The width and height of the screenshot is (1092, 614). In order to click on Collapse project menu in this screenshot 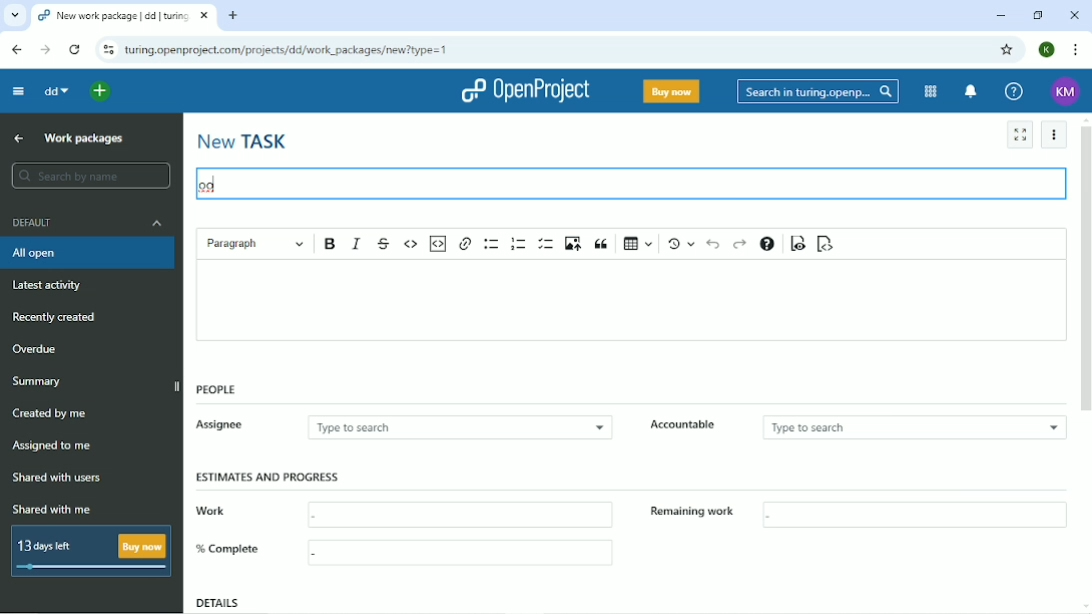, I will do `click(18, 91)`.